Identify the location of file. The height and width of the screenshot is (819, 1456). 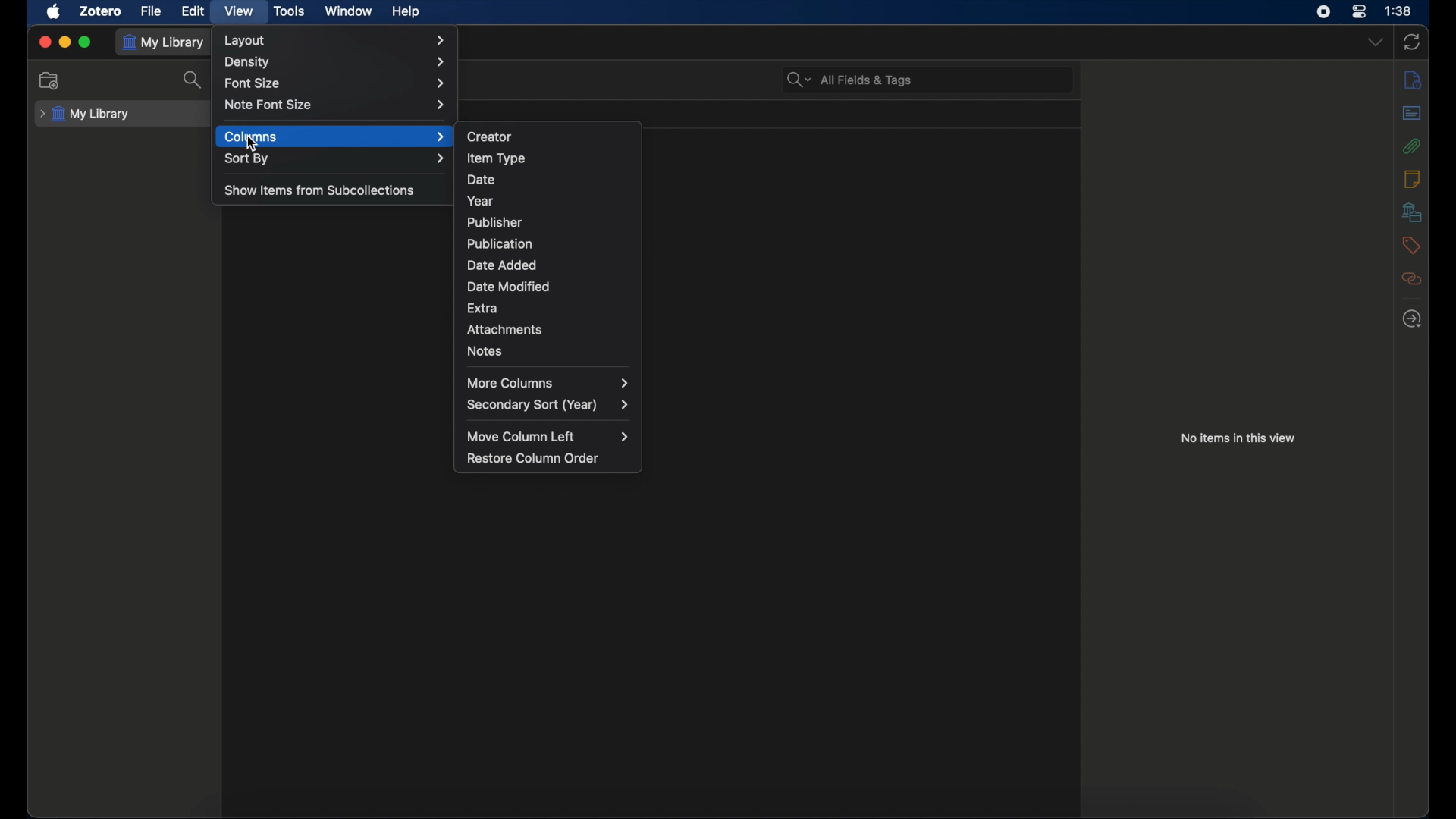
(152, 11).